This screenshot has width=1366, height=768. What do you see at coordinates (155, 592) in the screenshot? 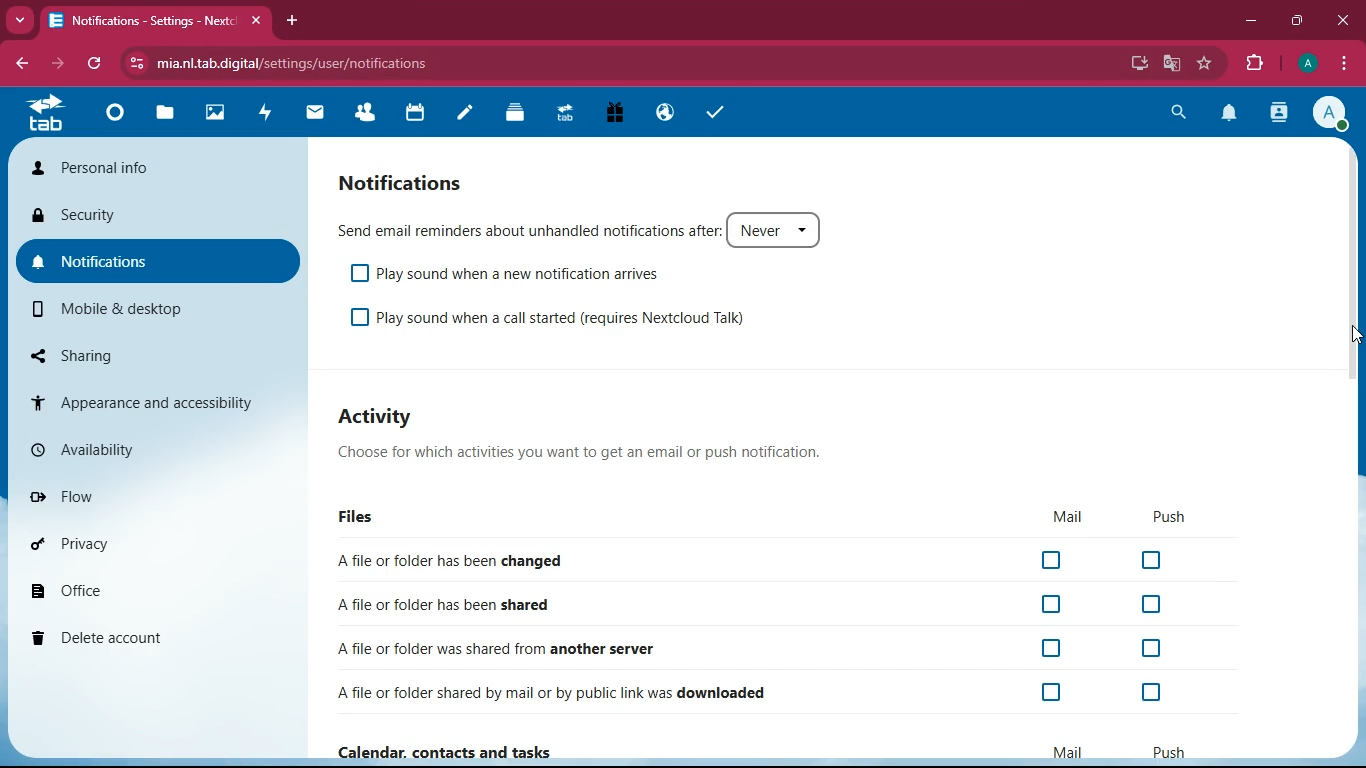
I see `office` at bounding box center [155, 592].